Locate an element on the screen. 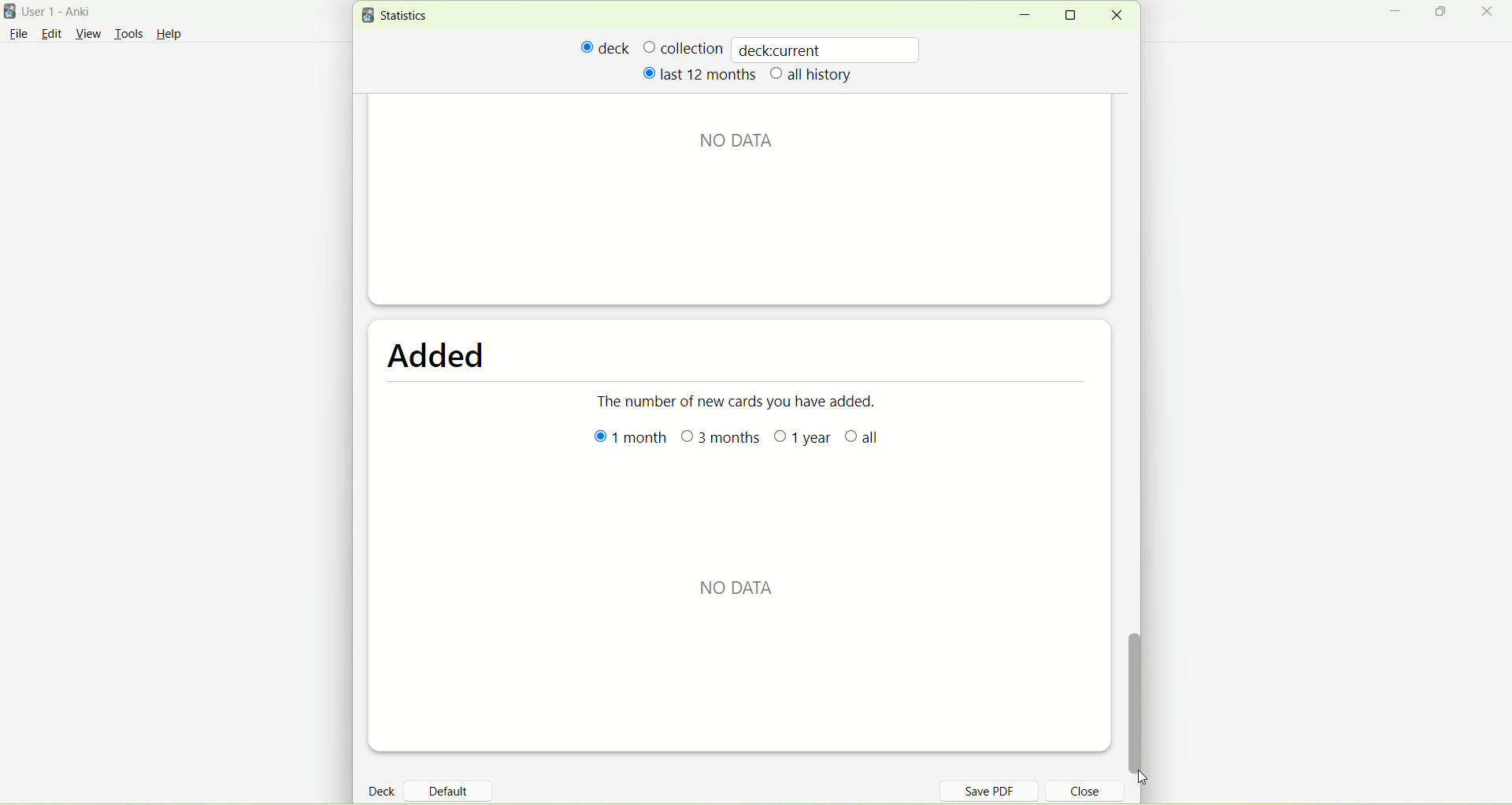 The width and height of the screenshot is (1512, 805). all is located at coordinates (876, 443).